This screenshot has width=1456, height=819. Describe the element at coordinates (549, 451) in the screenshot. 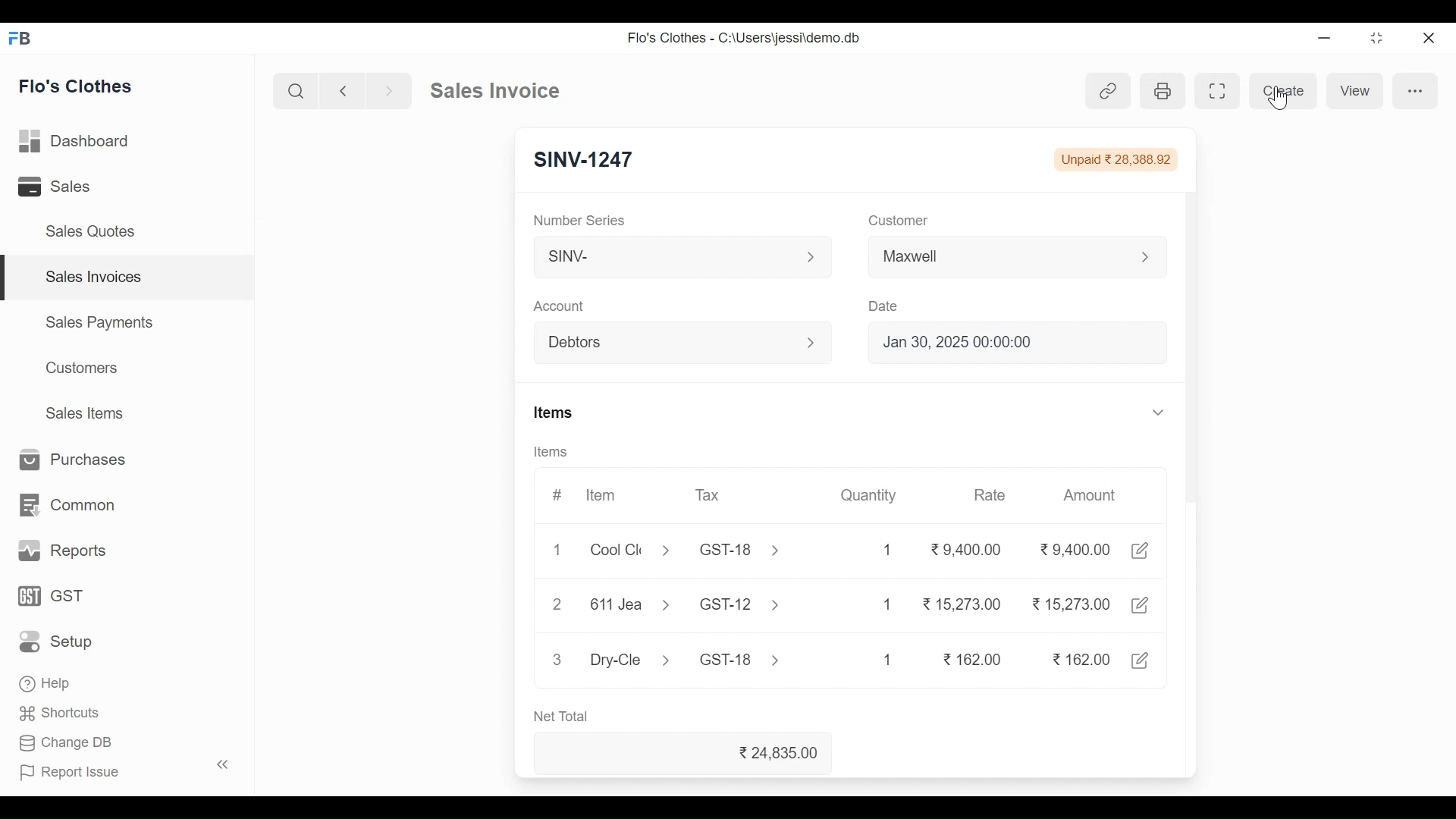

I see `Items` at that location.